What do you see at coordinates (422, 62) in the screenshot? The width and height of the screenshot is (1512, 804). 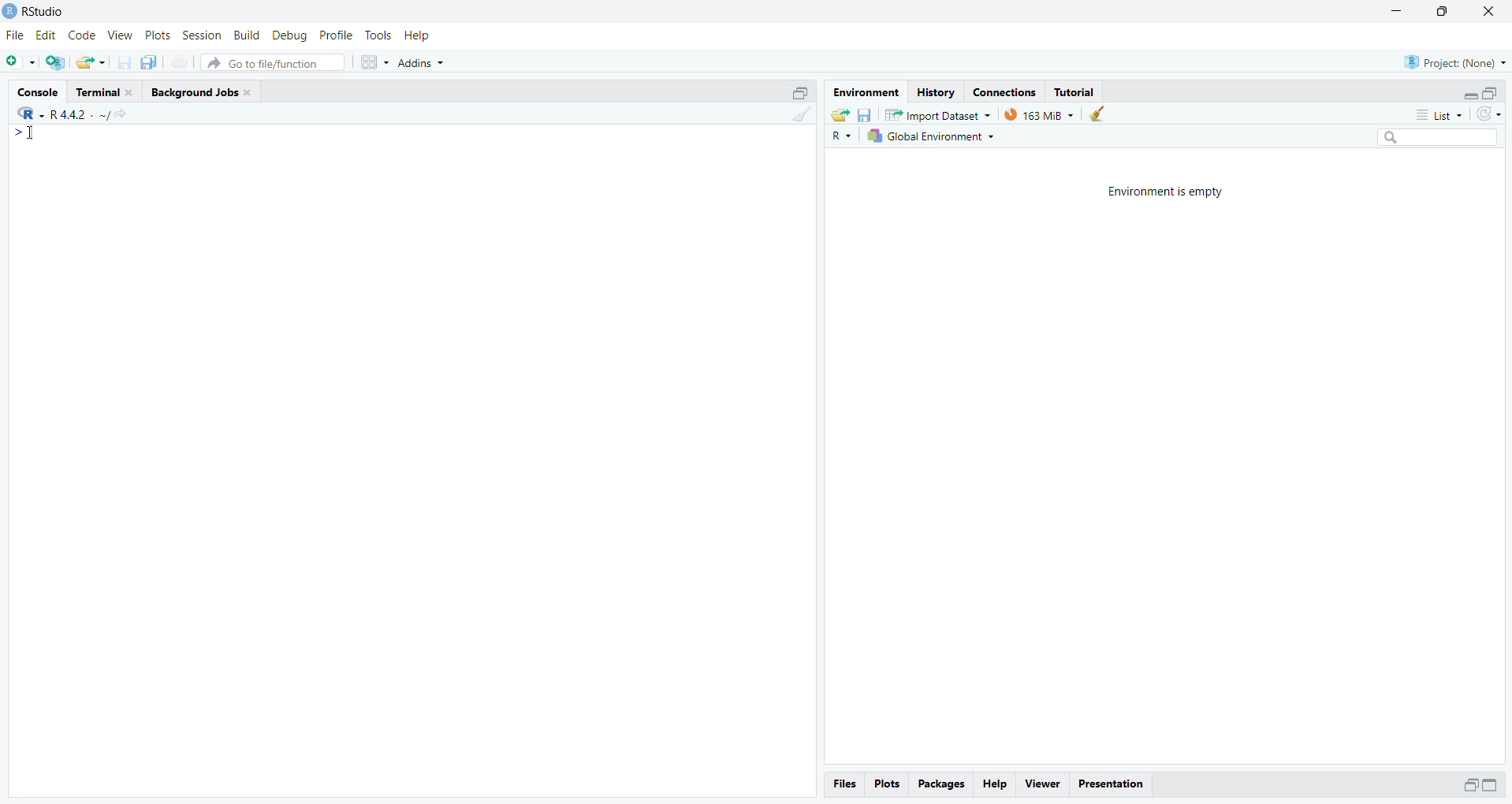 I see `Addins` at bounding box center [422, 62].